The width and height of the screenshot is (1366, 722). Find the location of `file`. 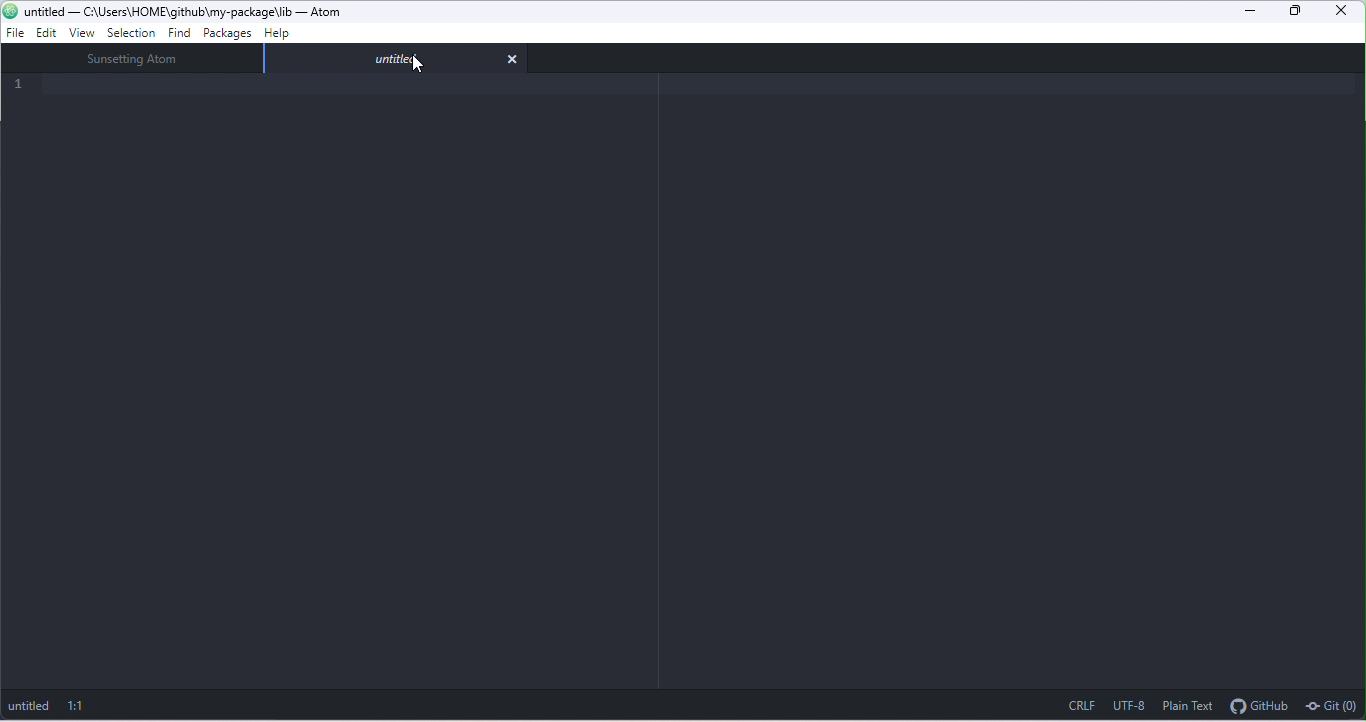

file is located at coordinates (16, 34).